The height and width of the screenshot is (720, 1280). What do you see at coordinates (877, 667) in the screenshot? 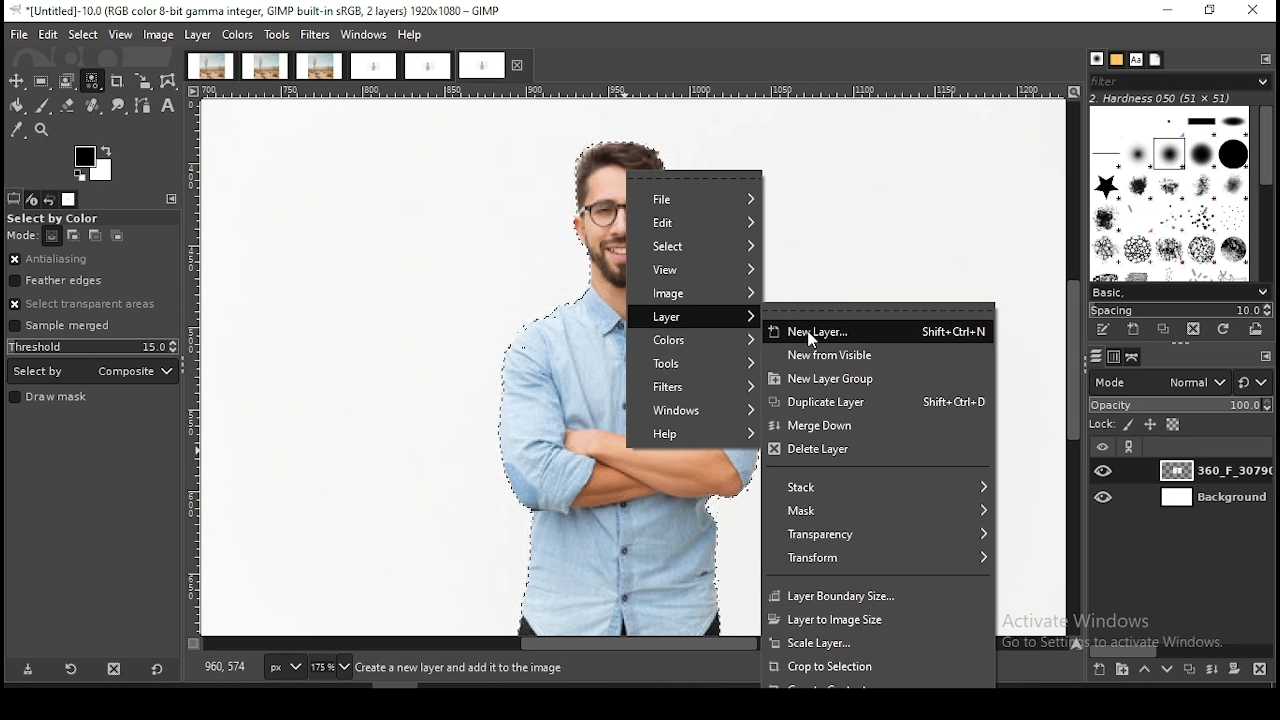
I see `crop to selction` at bounding box center [877, 667].